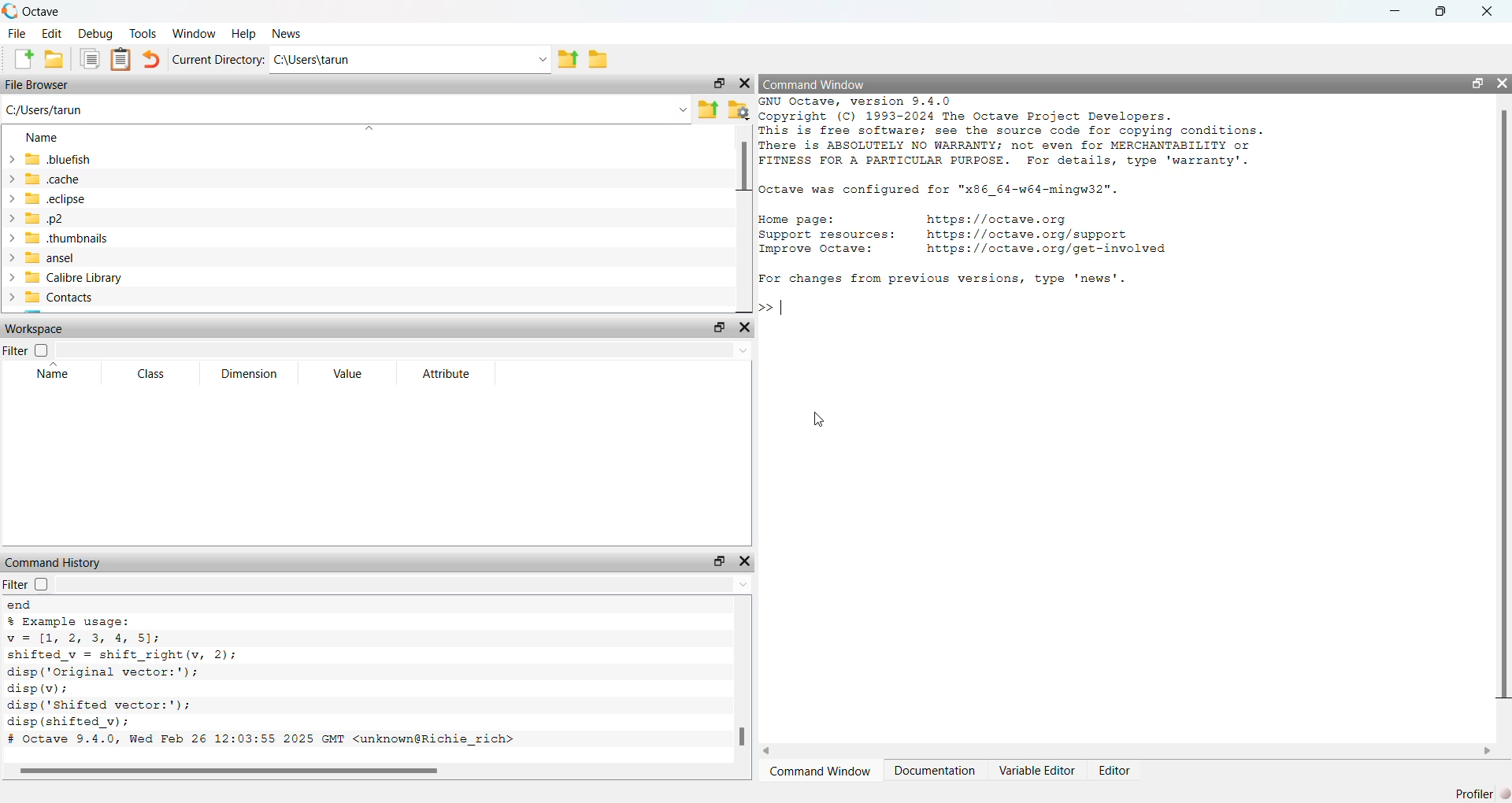 This screenshot has width=1512, height=803. I want to click on one directory up, so click(567, 61).